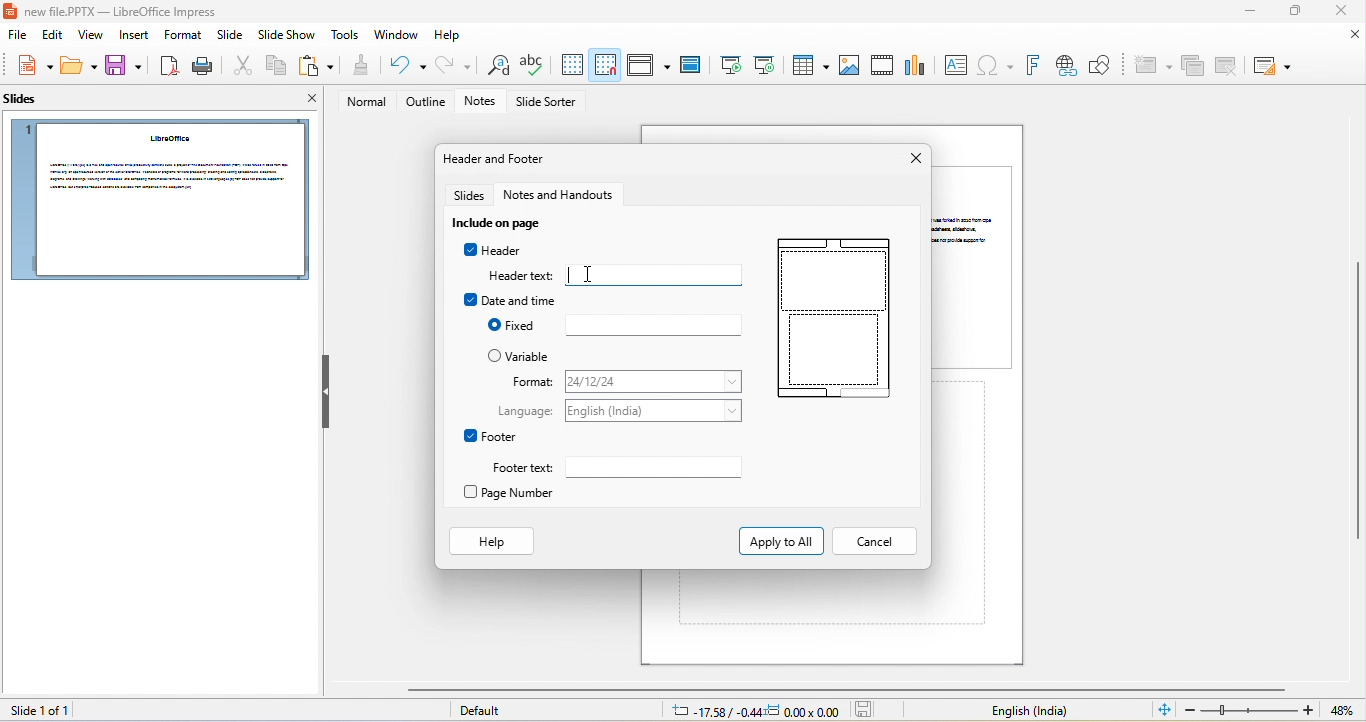 The height and width of the screenshot is (722, 1366). Describe the element at coordinates (229, 38) in the screenshot. I see `slide` at that location.